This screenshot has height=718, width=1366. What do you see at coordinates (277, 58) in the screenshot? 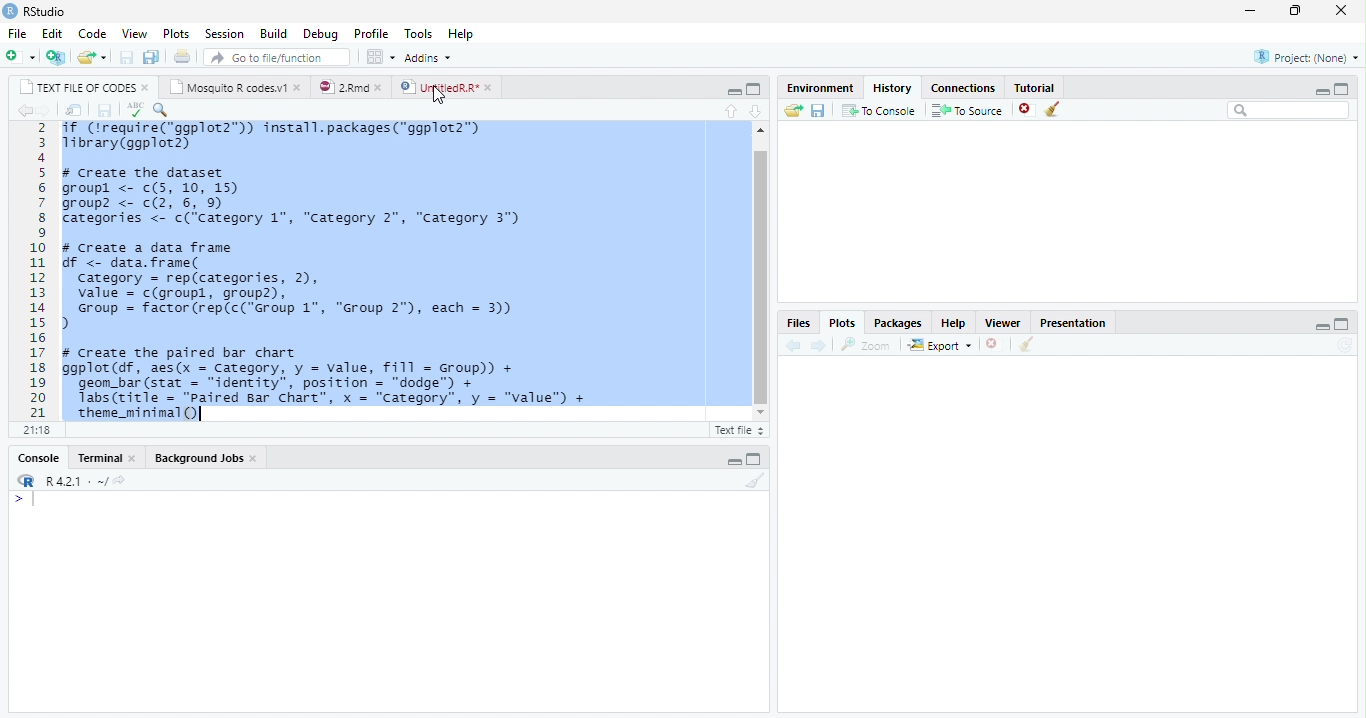
I see `go to file/function` at bounding box center [277, 58].